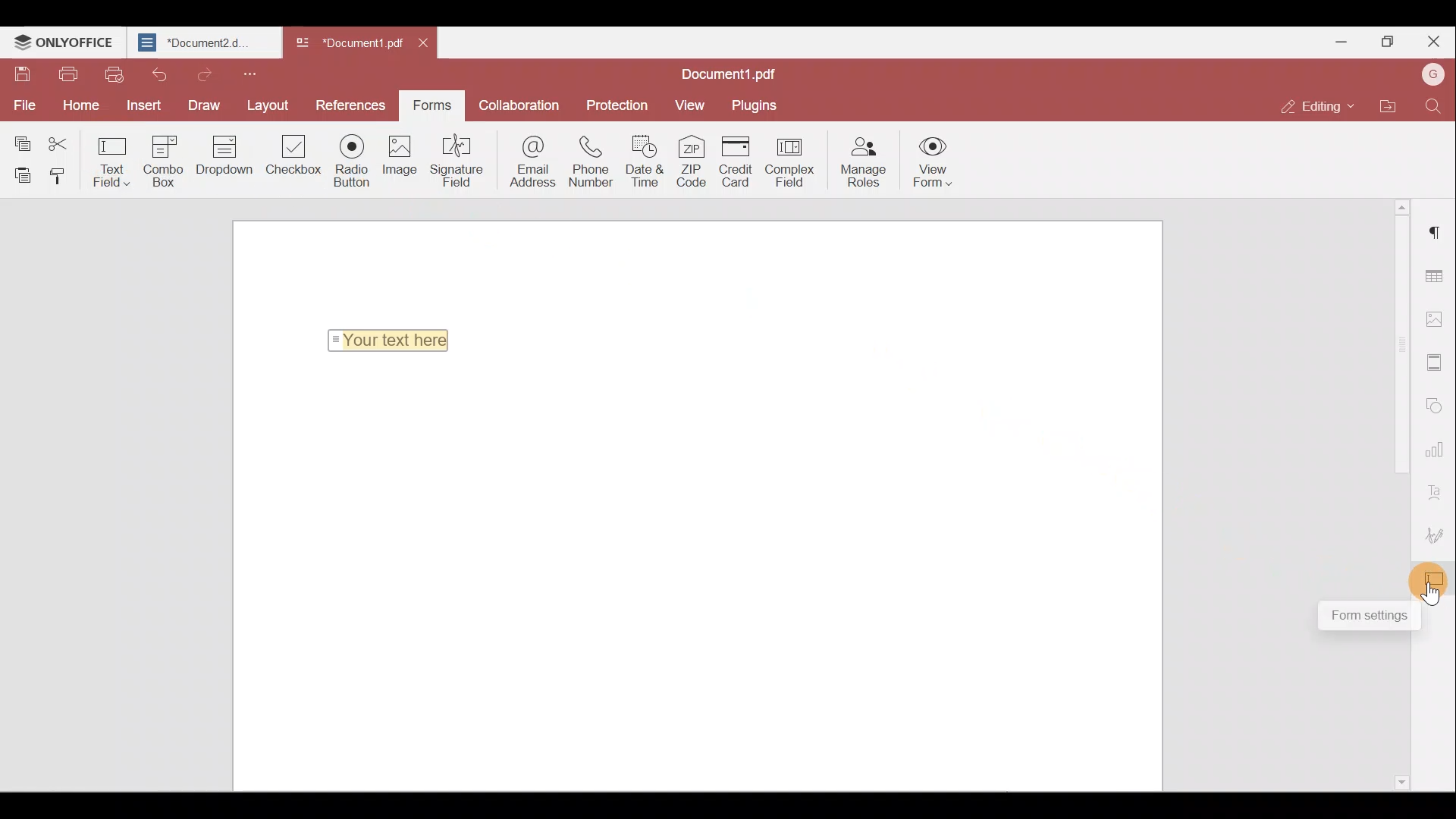 Image resolution: width=1456 pixels, height=819 pixels. What do you see at coordinates (20, 73) in the screenshot?
I see `Save` at bounding box center [20, 73].